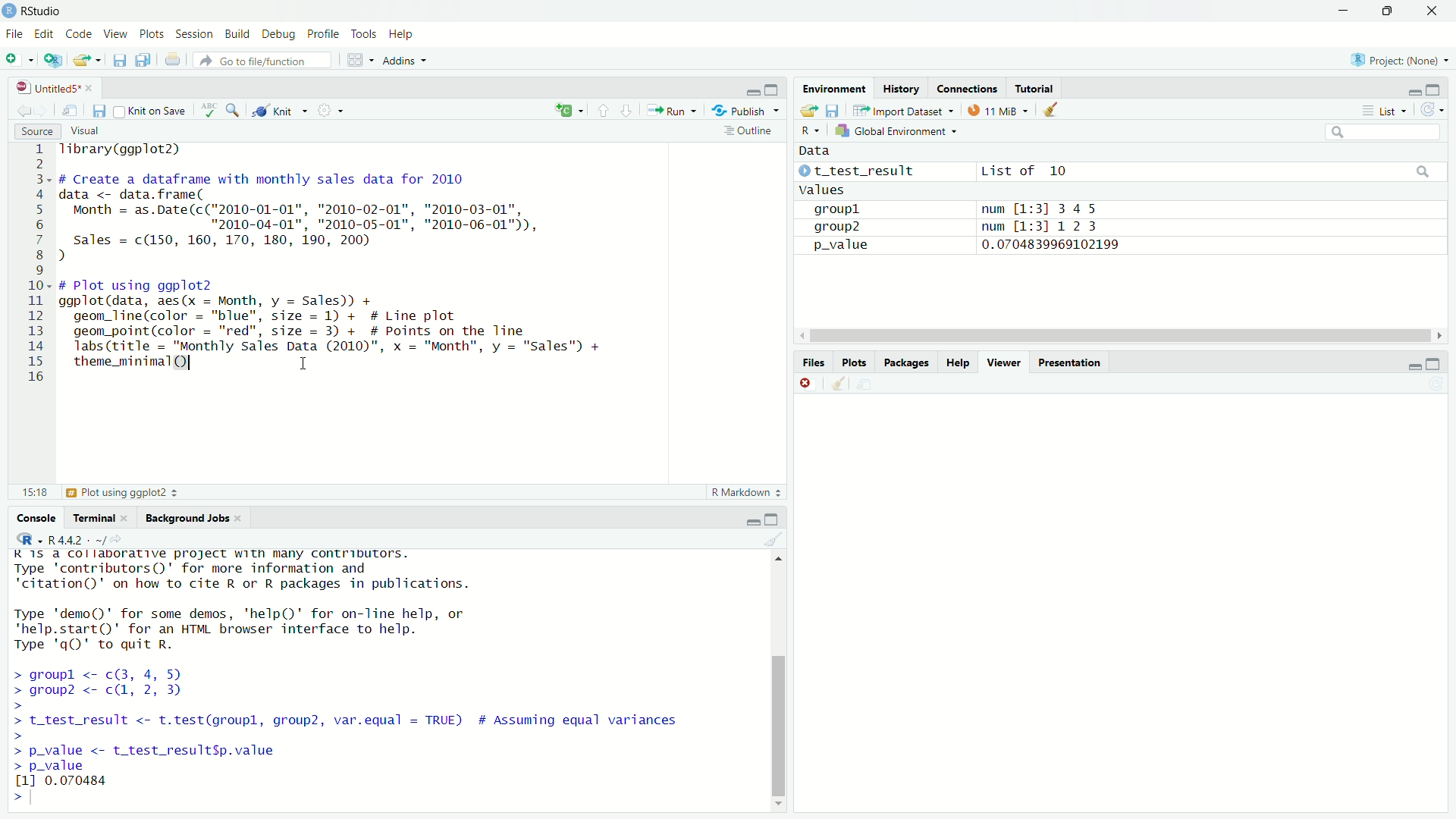 The height and width of the screenshot is (819, 1456). I want to click on clear object from workspace, so click(1054, 108).